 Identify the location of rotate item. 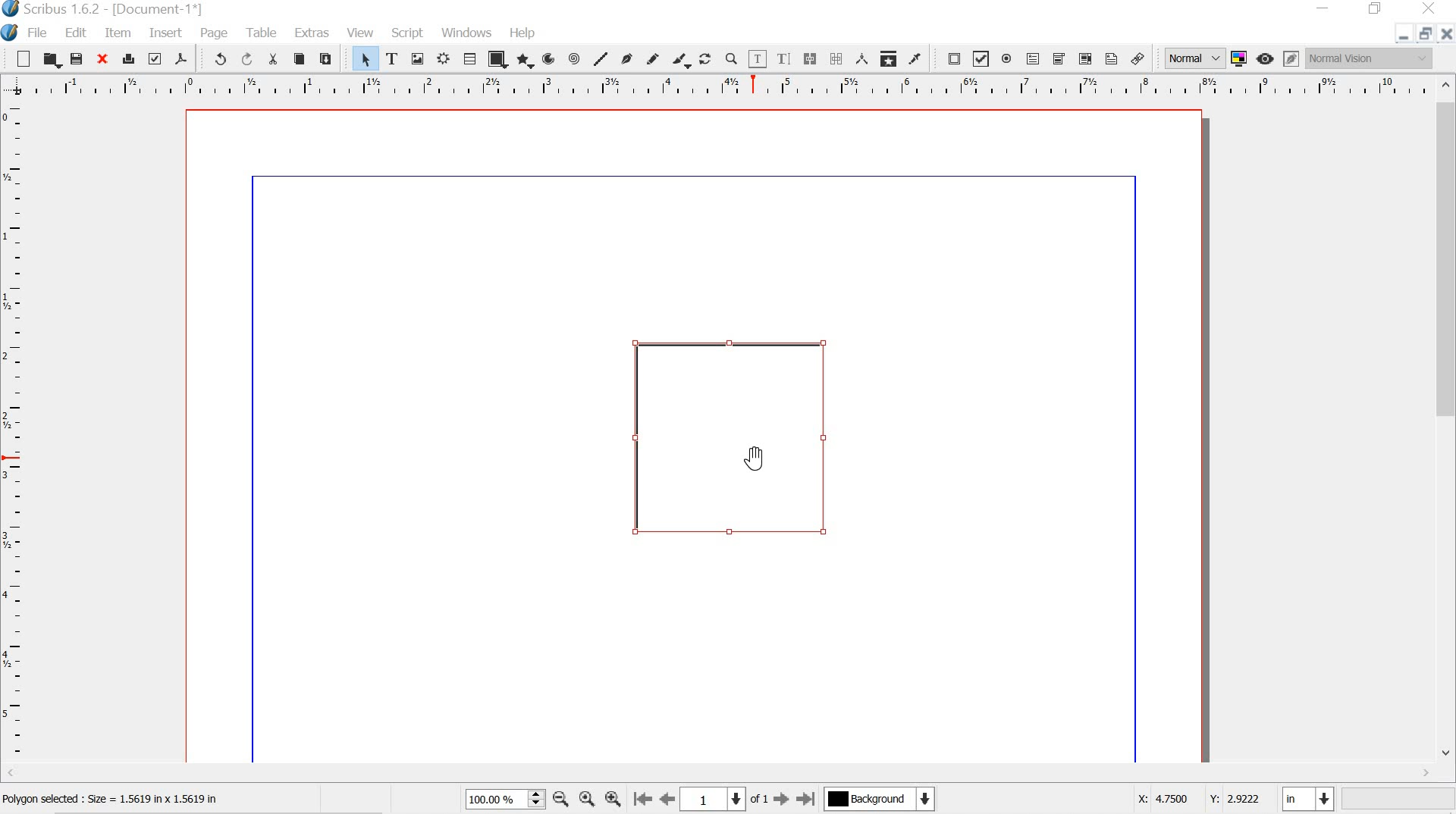
(705, 58).